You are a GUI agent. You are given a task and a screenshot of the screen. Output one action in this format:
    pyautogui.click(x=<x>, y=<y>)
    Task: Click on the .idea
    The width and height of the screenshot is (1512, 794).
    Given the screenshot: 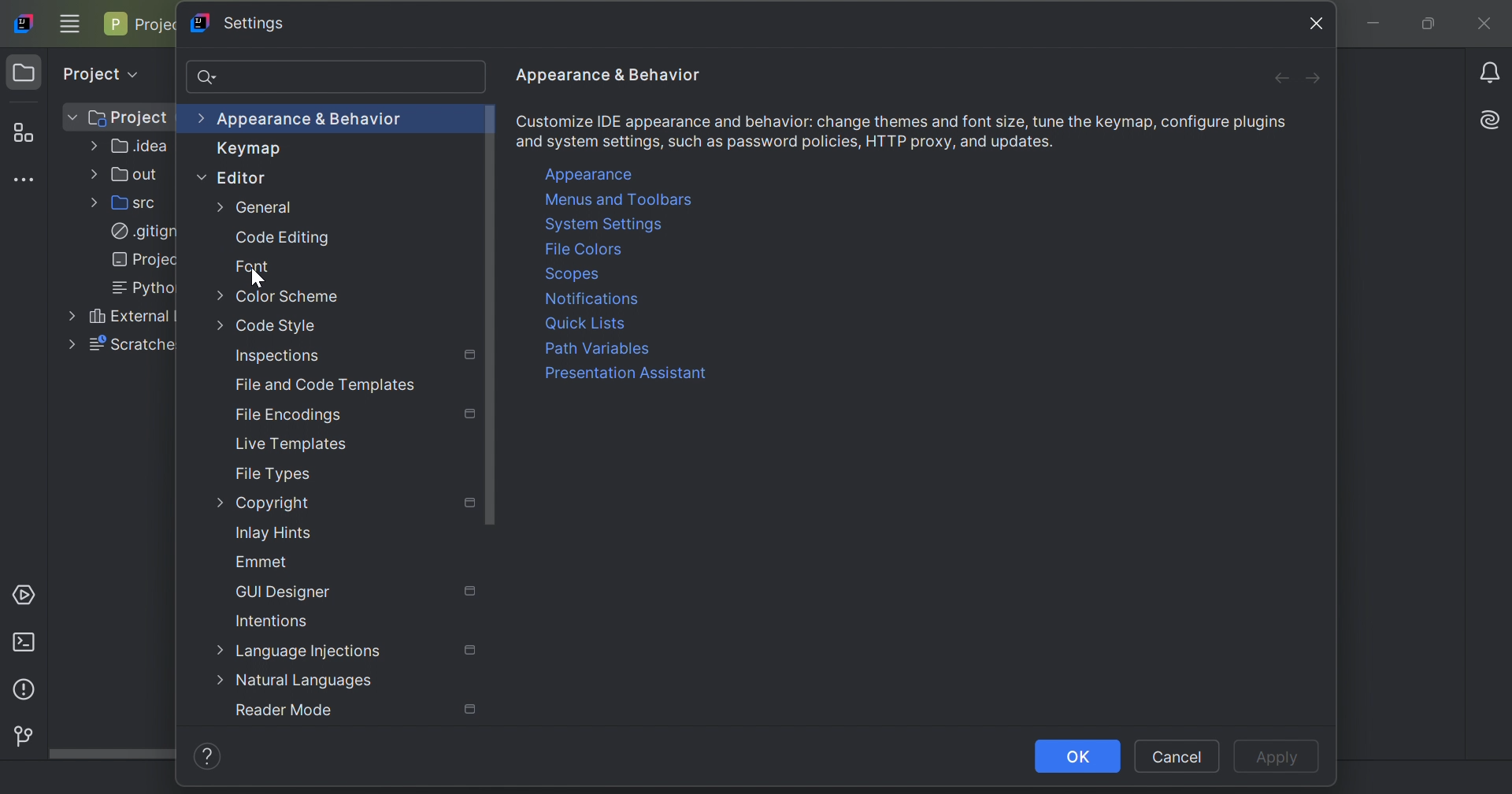 What is the action you would take?
    pyautogui.click(x=132, y=149)
    